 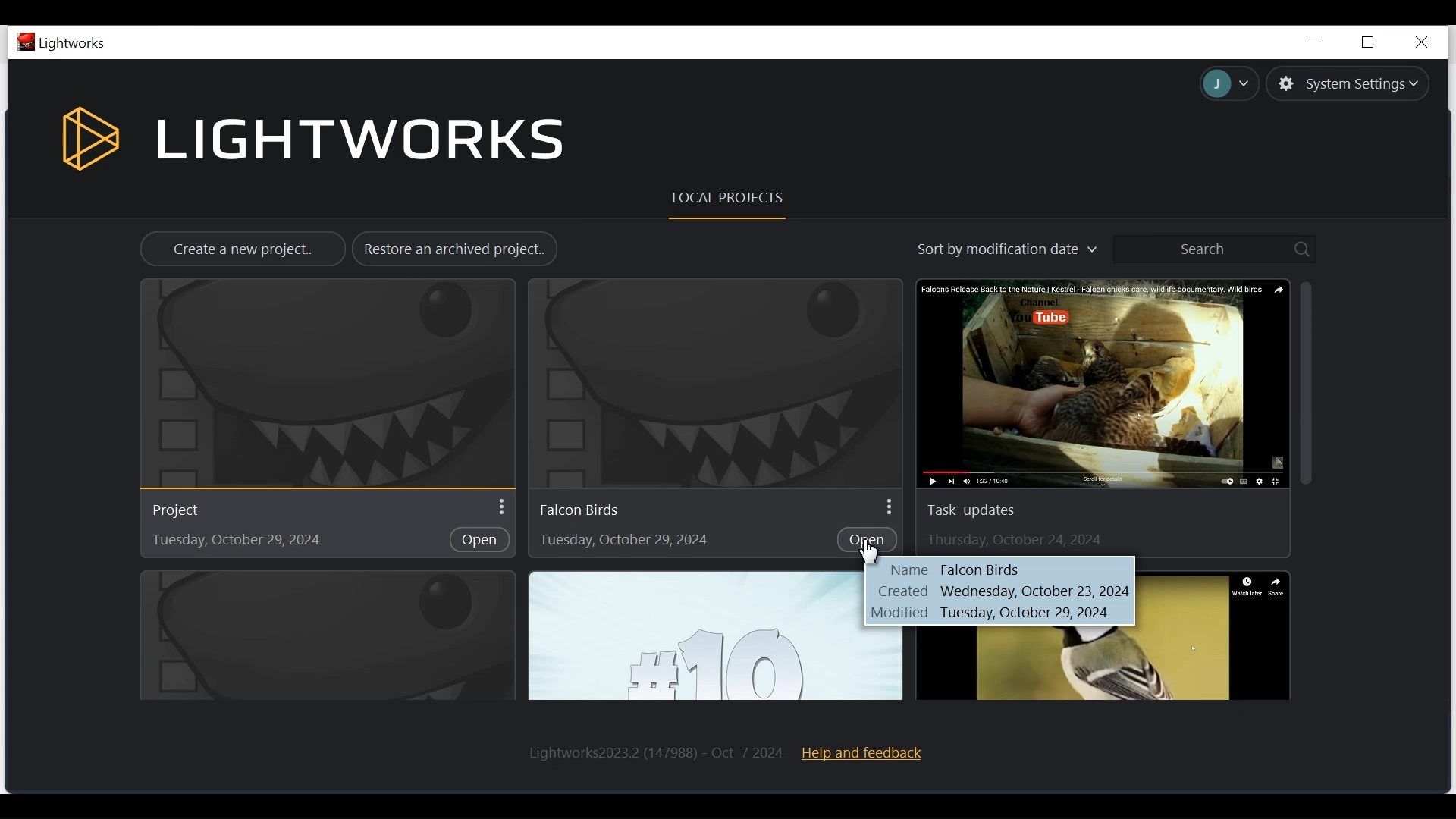 I want to click on Existing Lightworks projects display, so click(x=322, y=384).